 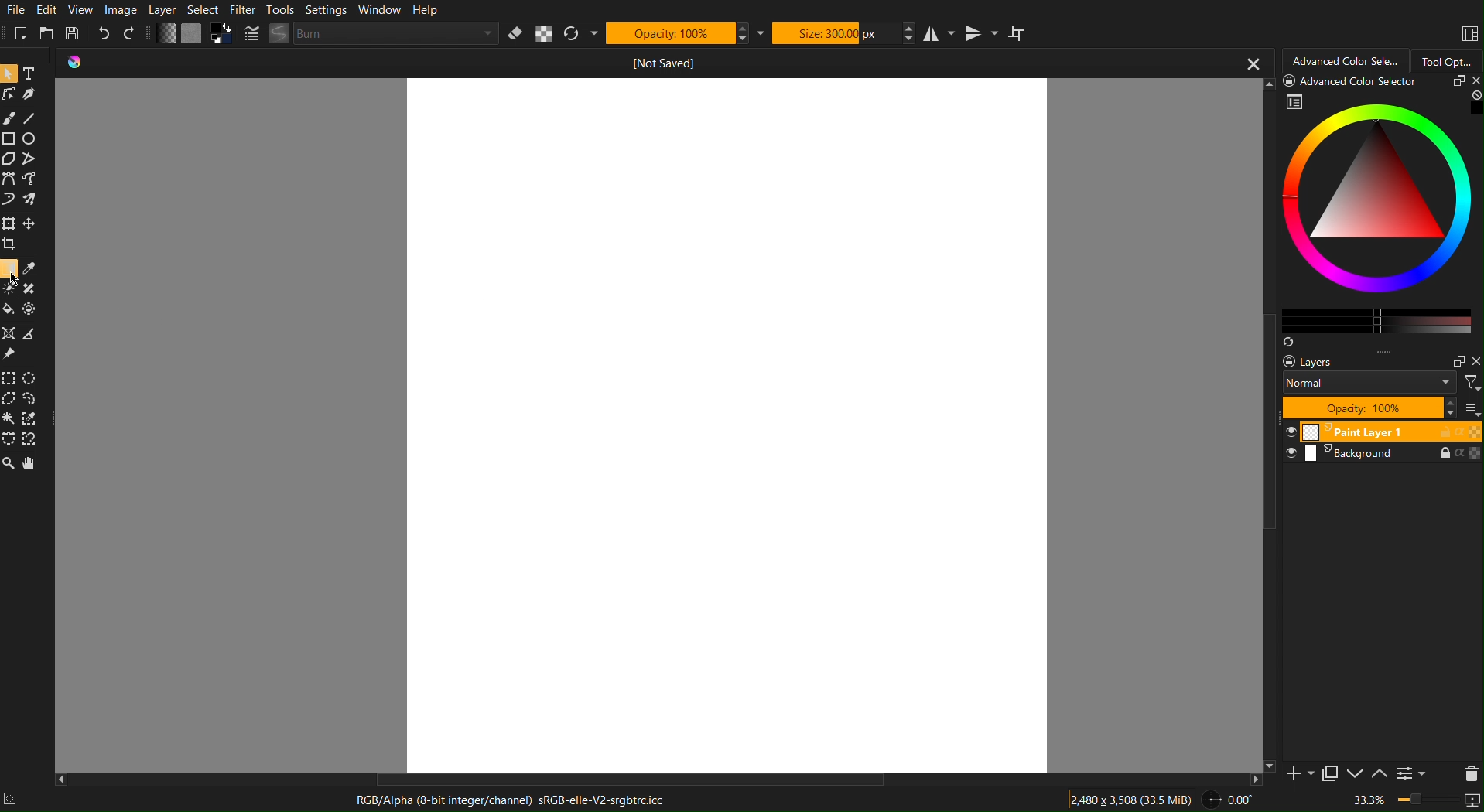 I want to click on Down, so click(x=1353, y=775).